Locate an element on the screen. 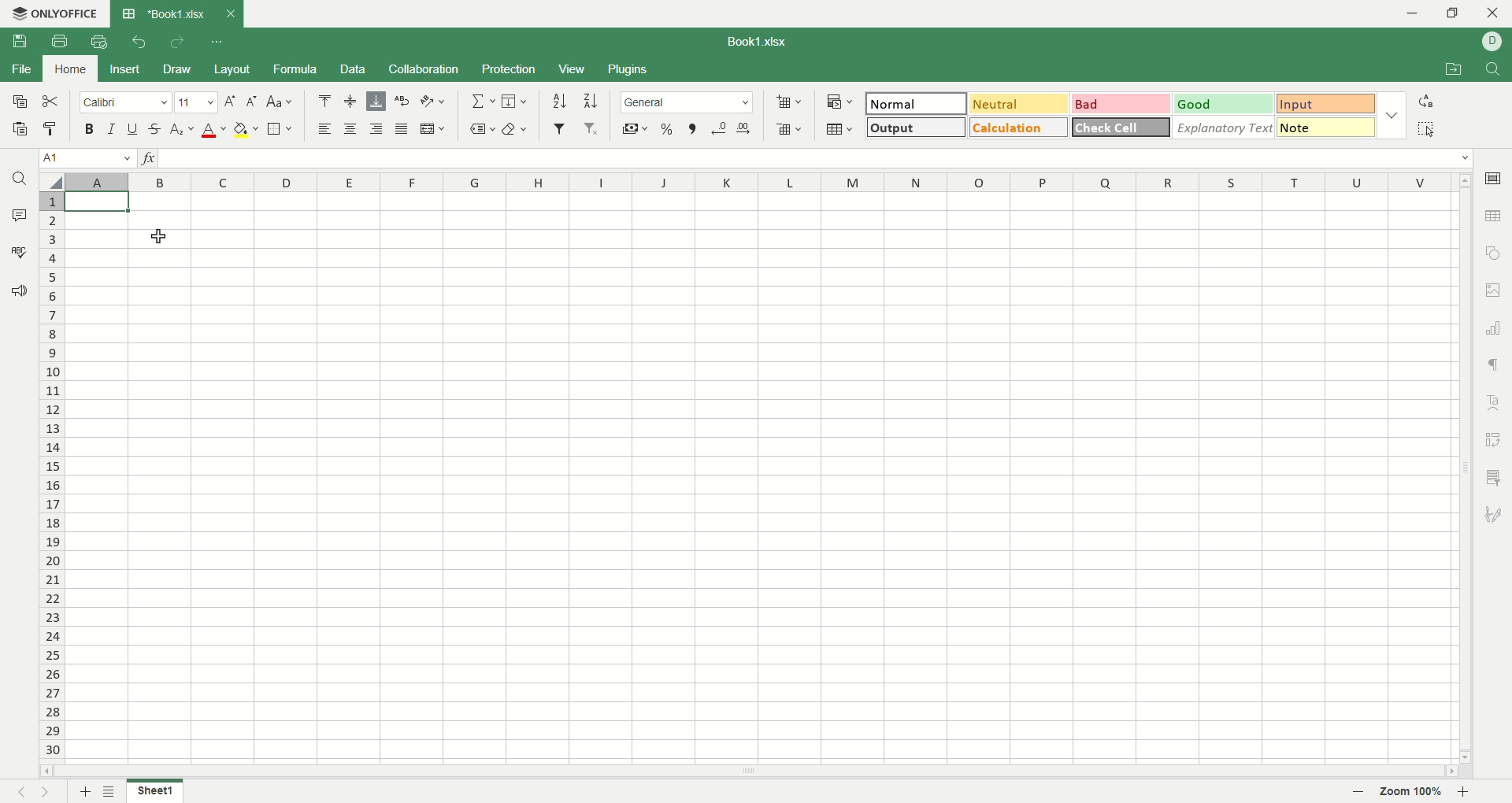 The height and width of the screenshot is (803, 1512). font name is located at coordinates (124, 102).